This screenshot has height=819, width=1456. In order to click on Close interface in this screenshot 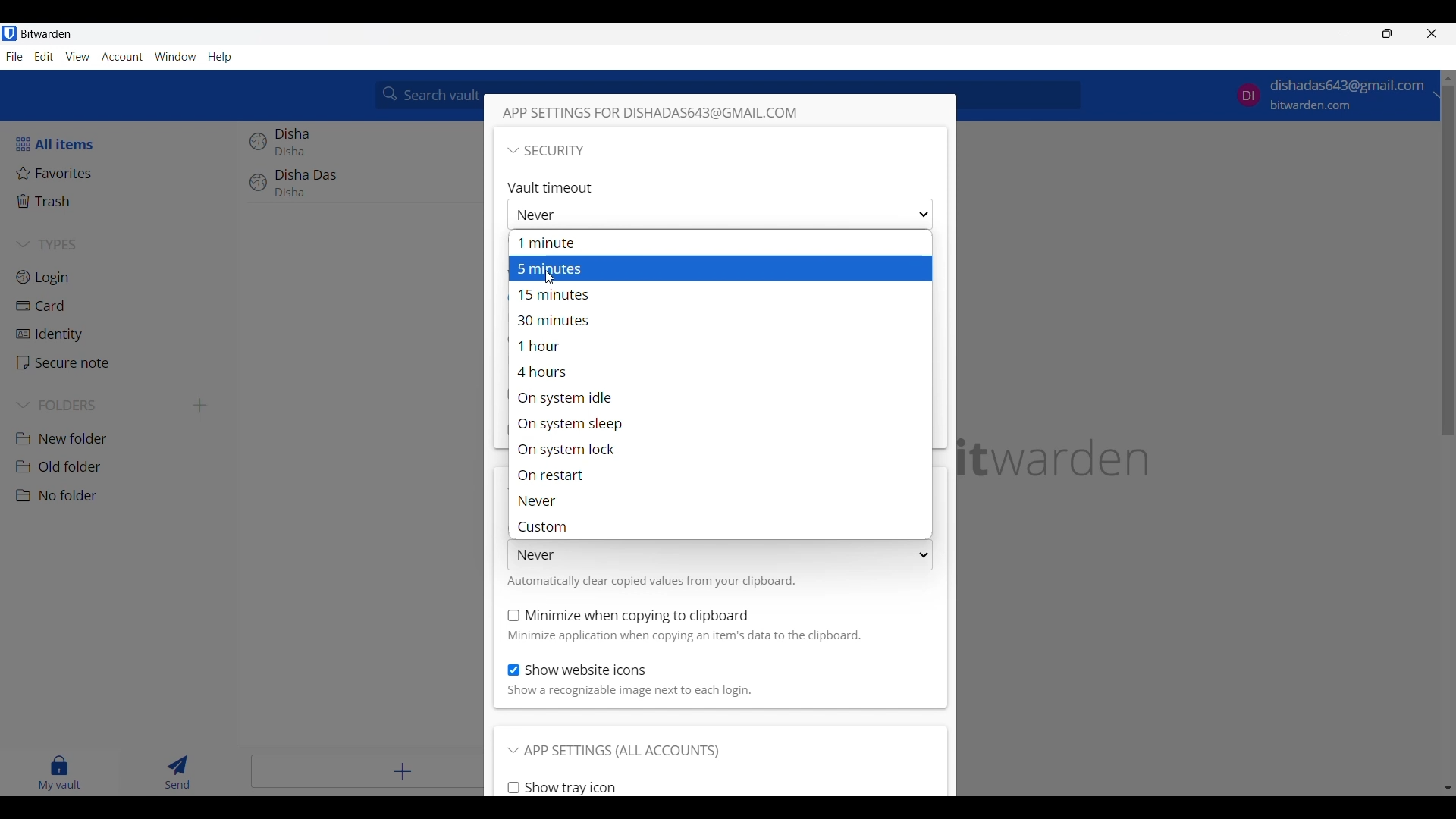, I will do `click(1432, 33)`.